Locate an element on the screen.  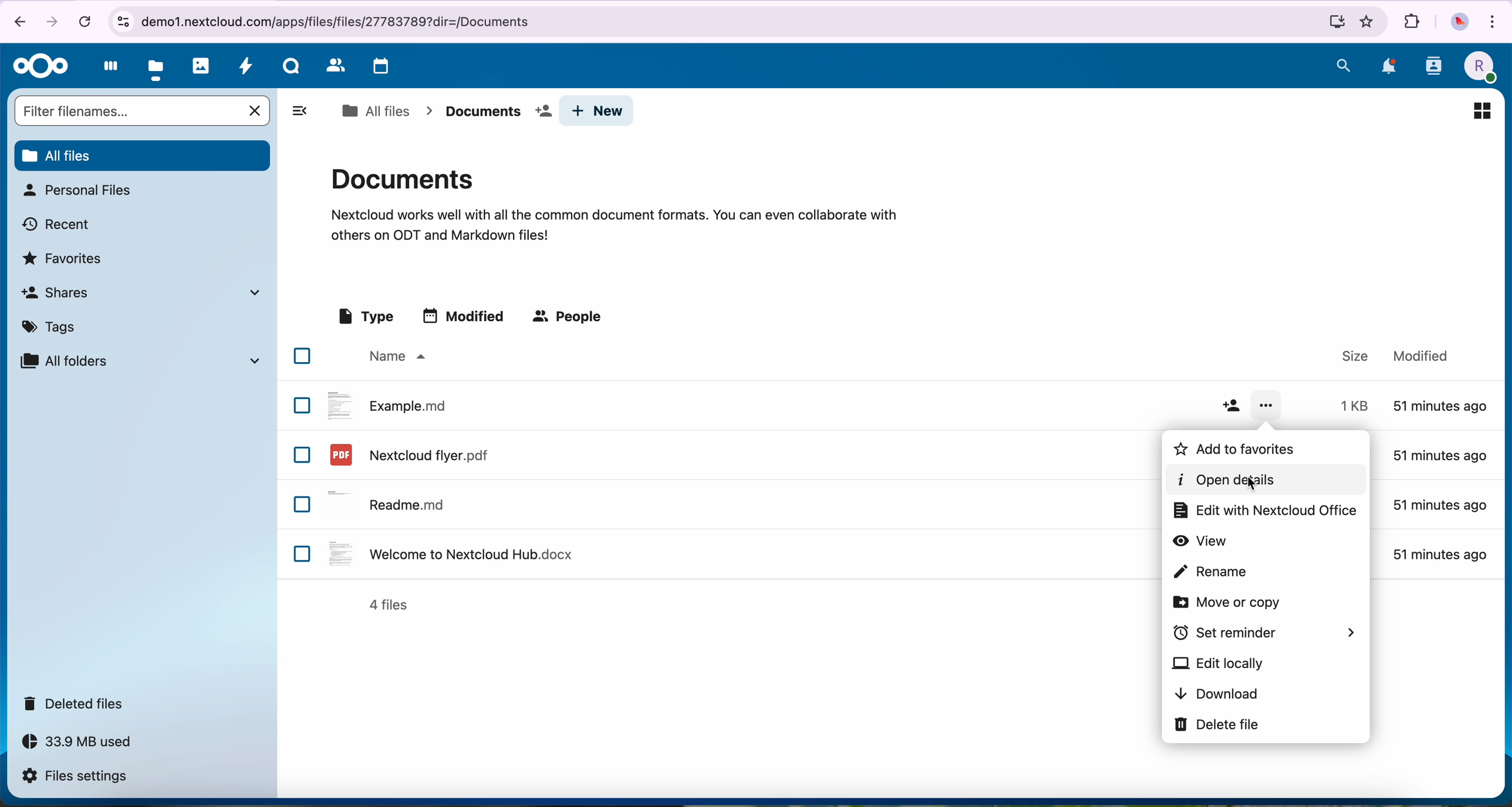
size is located at coordinates (1350, 407).